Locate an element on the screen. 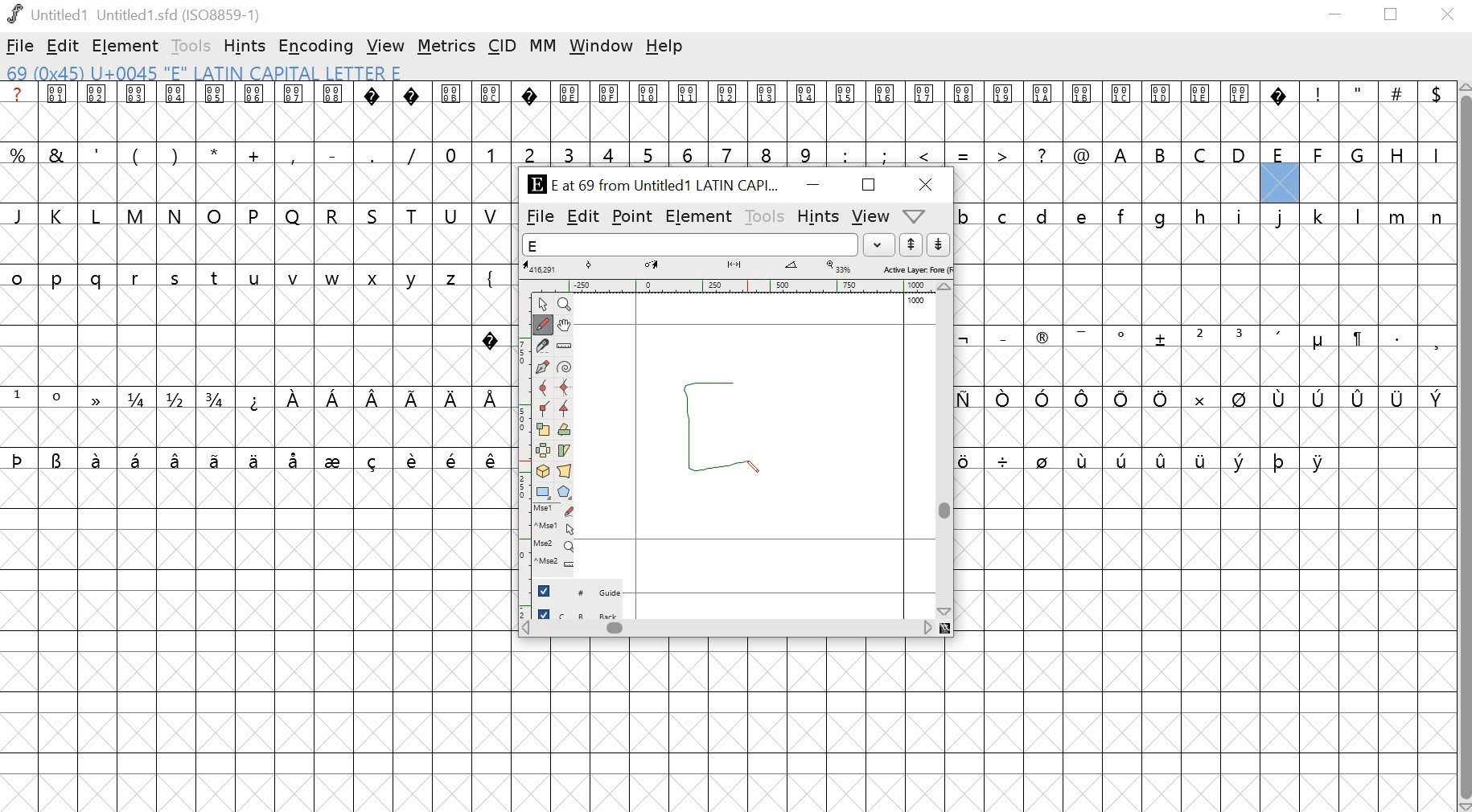 The width and height of the screenshot is (1472, 812). special characters and symbols is located at coordinates (1207, 338).